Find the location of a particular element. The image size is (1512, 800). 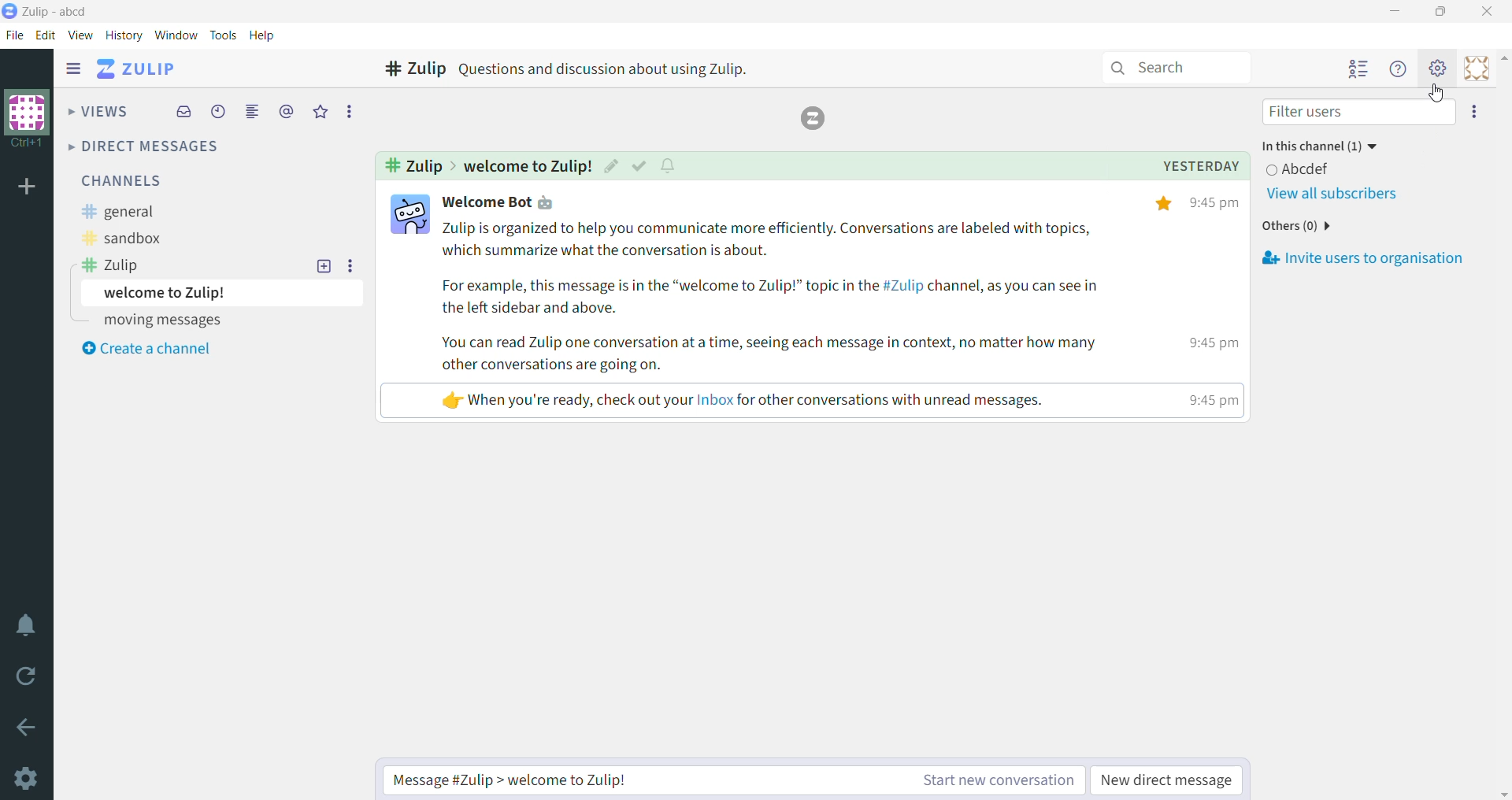

moving messages is located at coordinates (161, 320).